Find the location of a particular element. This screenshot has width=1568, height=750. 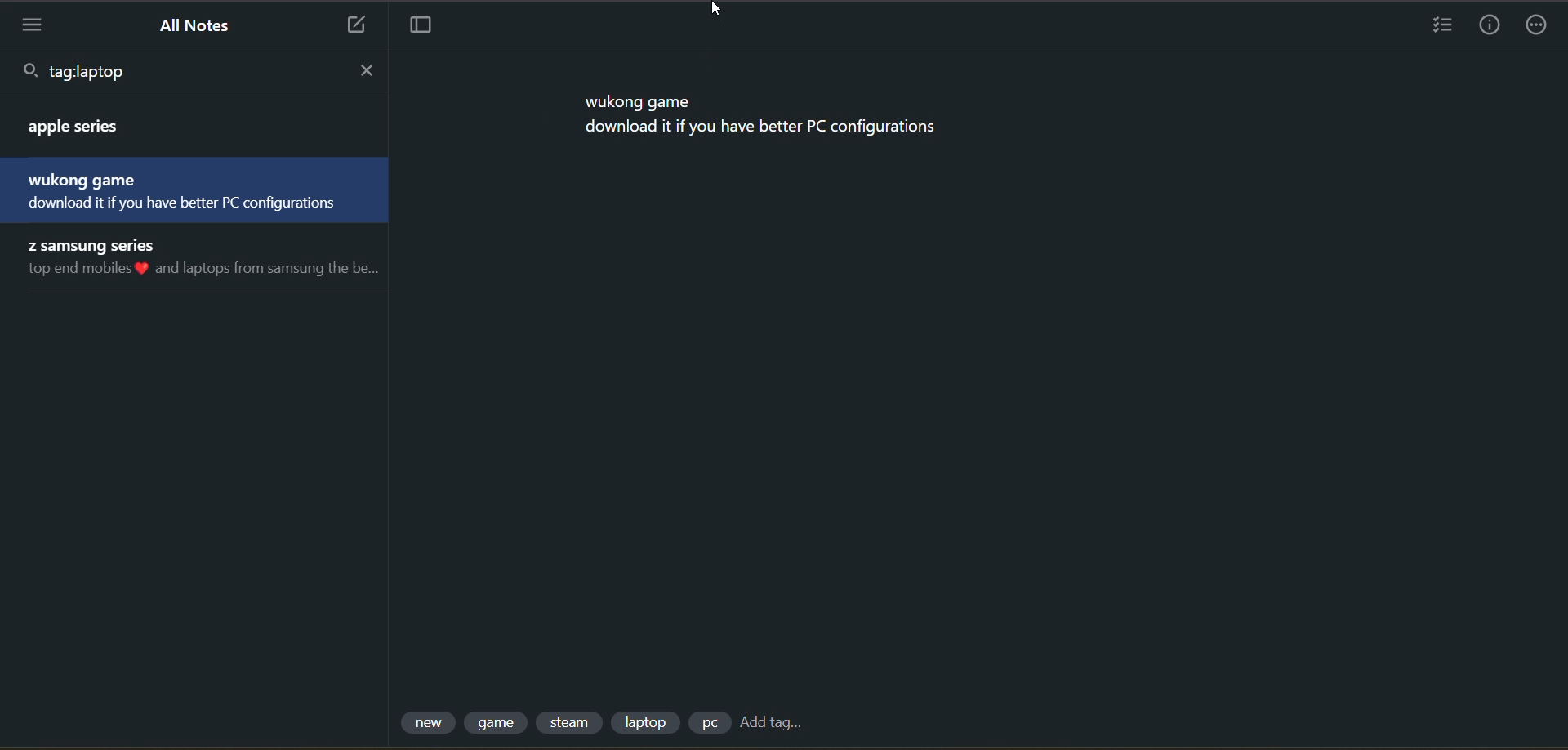

toggle focus mode is located at coordinates (421, 24).